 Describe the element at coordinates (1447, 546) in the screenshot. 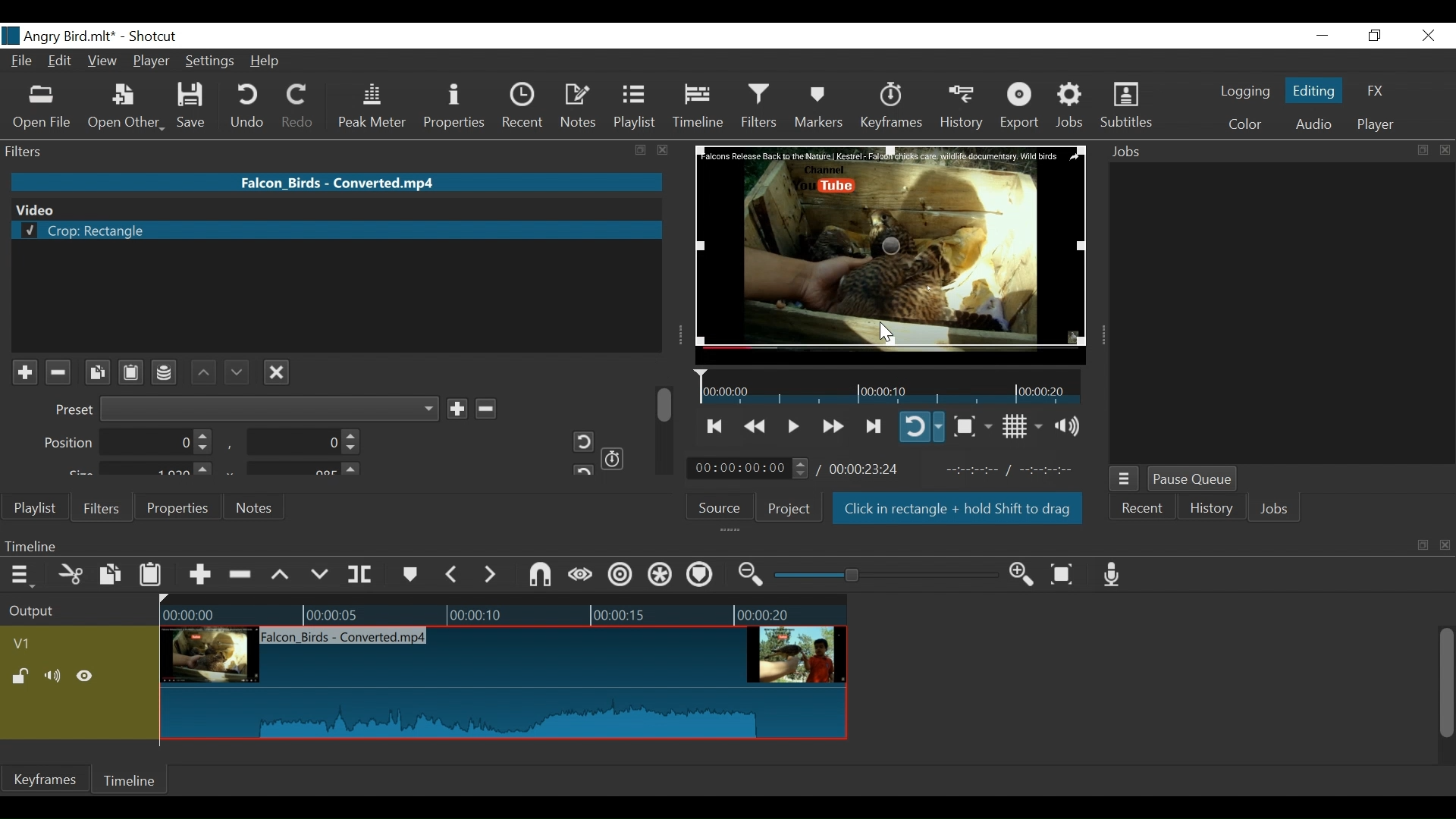

I see `close` at that location.